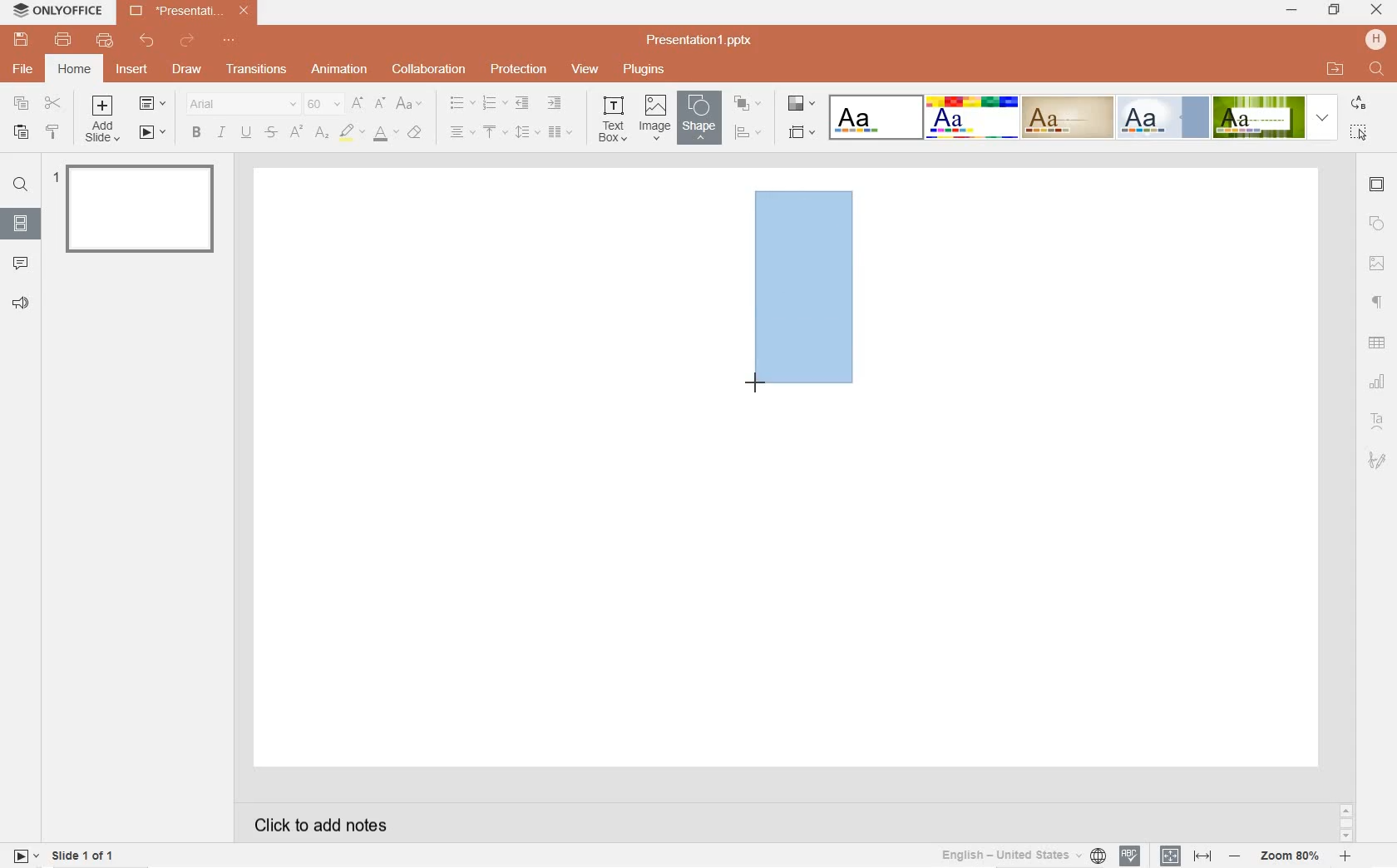  What do you see at coordinates (352, 133) in the screenshot?
I see `highlight color` at bounding box center [352, 133].